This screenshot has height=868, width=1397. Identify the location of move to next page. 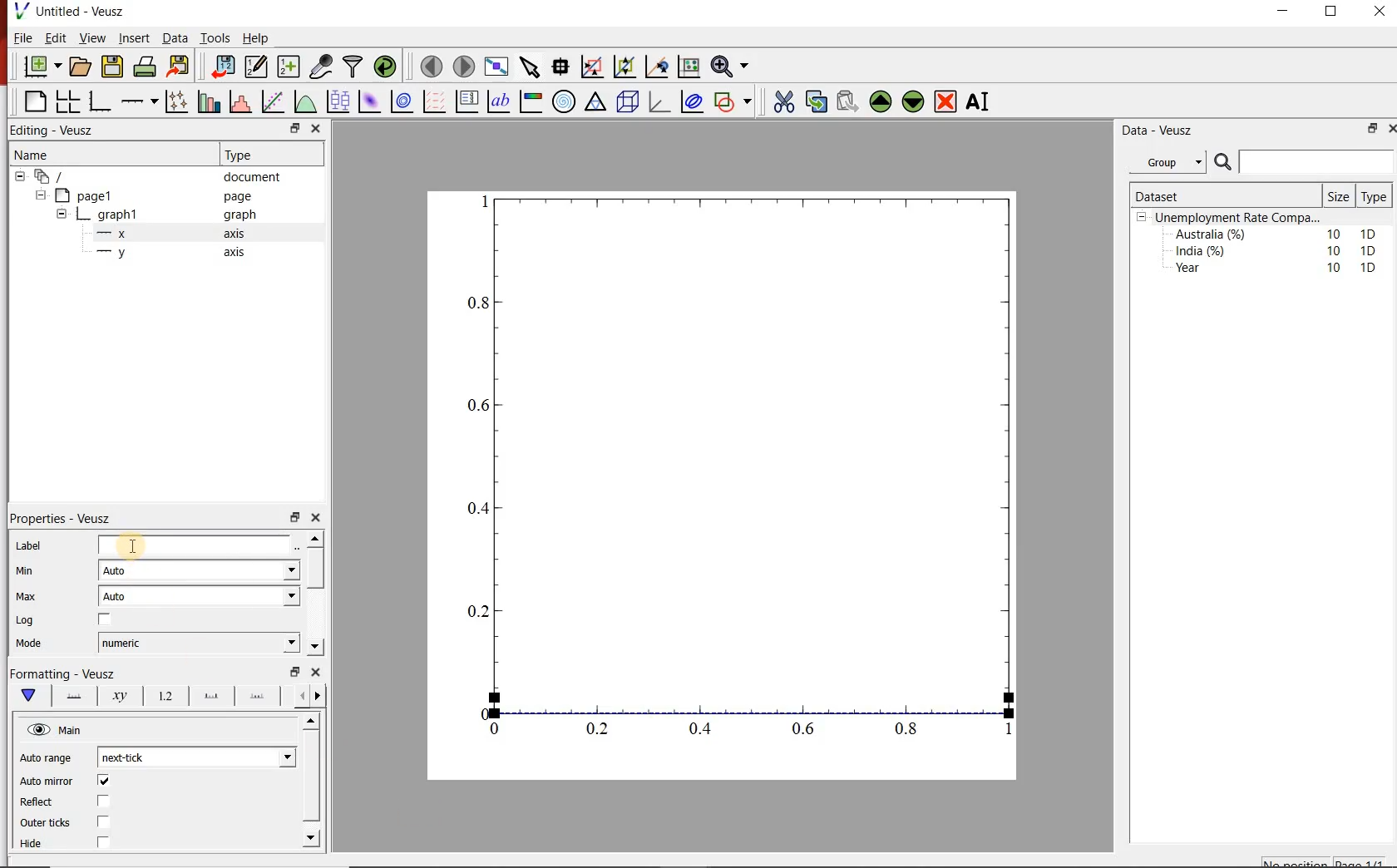
(465, 67).